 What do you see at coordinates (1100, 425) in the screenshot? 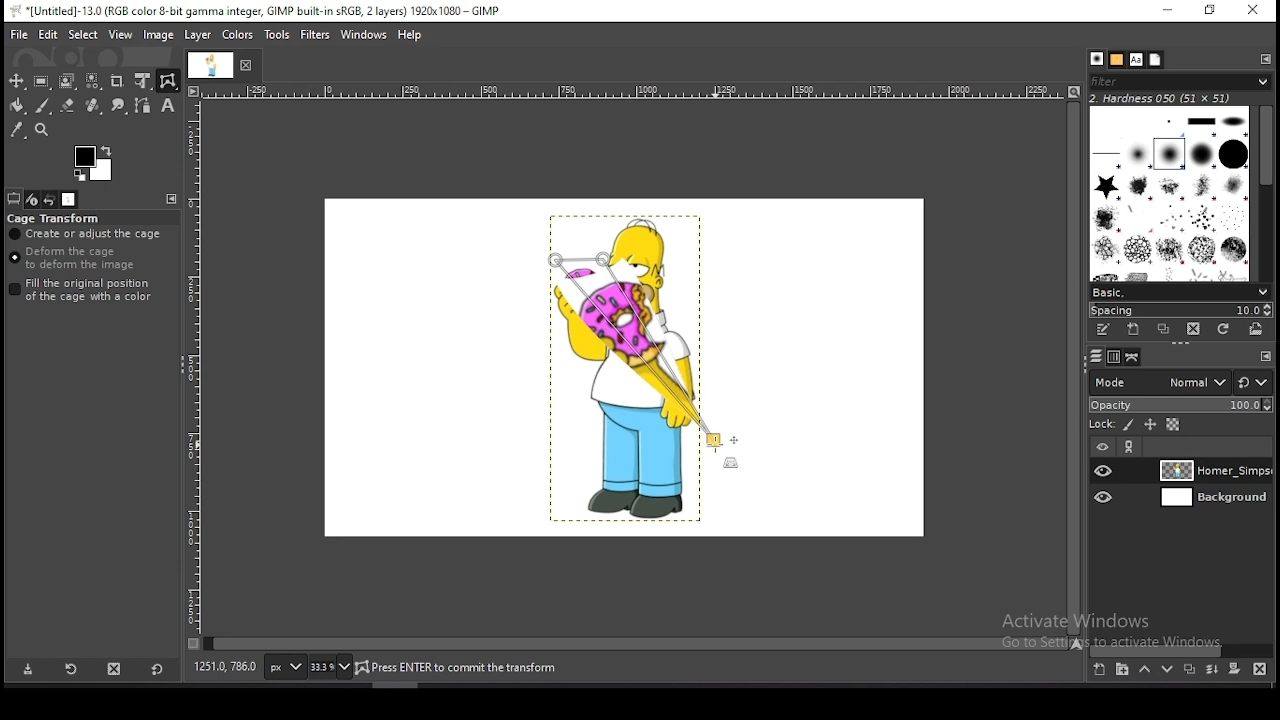
I see `lock` at bounding box center [1100, 425].